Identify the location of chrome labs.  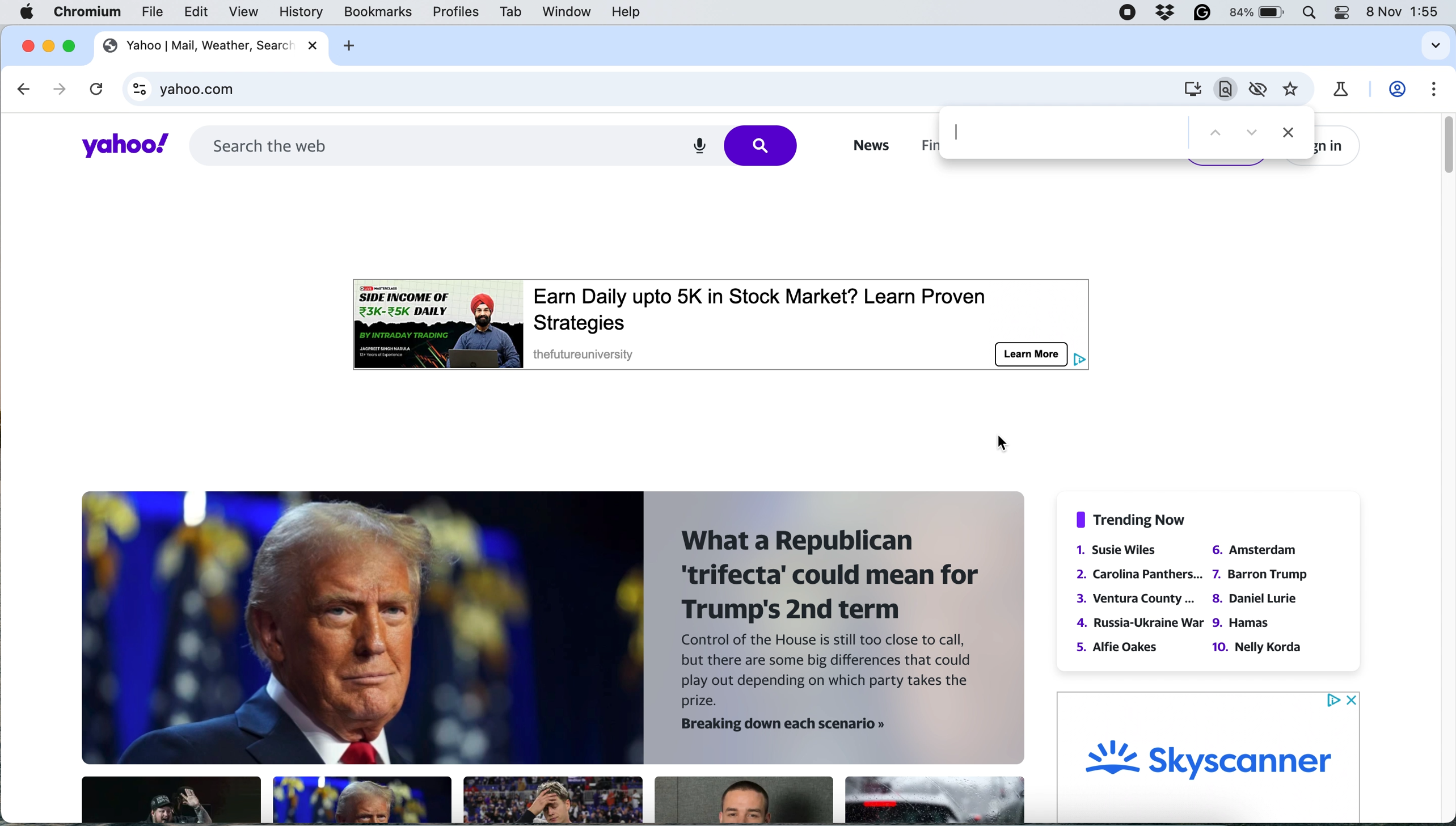
(1345, 91).